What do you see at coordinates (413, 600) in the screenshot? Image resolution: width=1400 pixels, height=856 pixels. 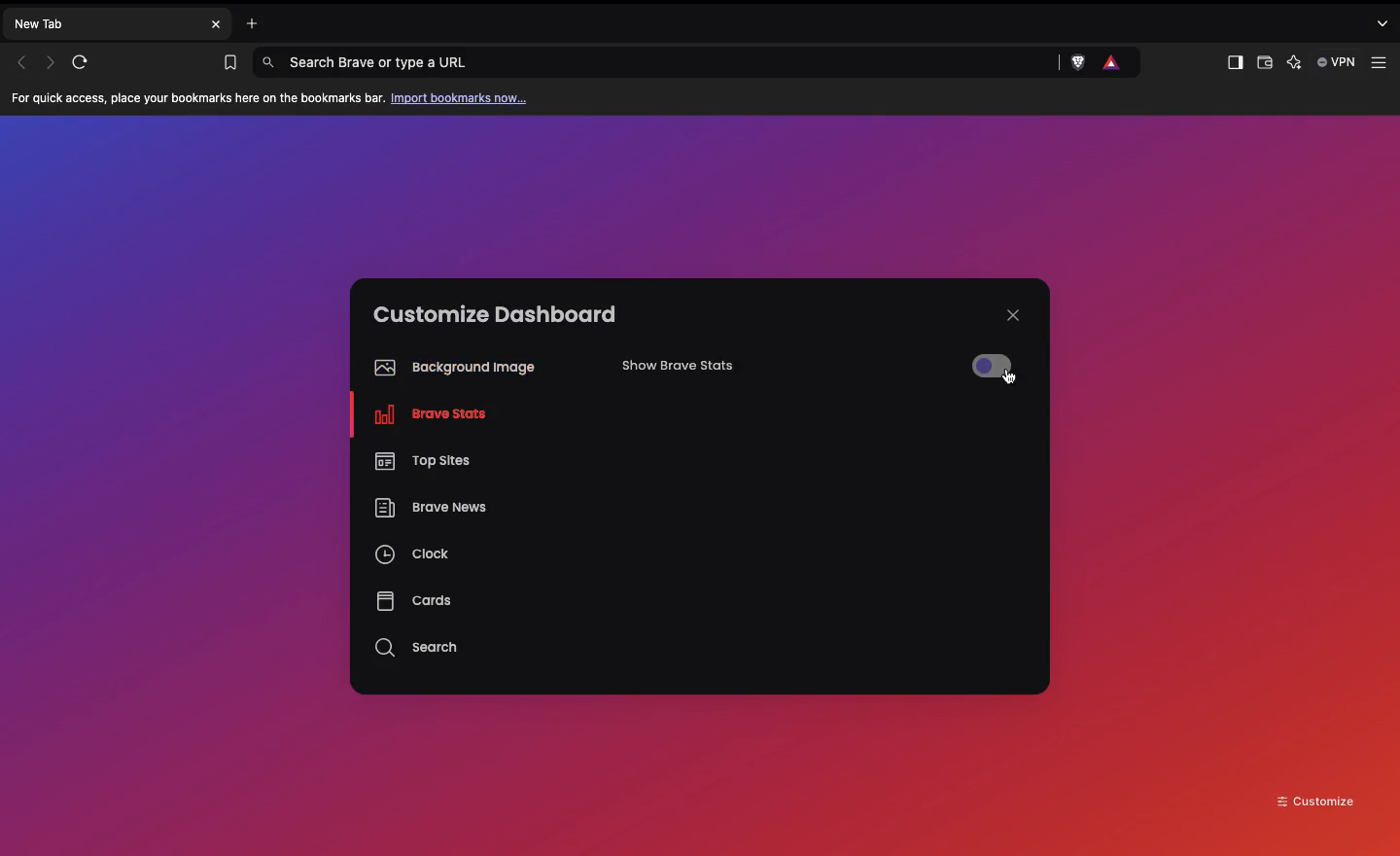 I see `Cards` at bounding box center [413, 600].